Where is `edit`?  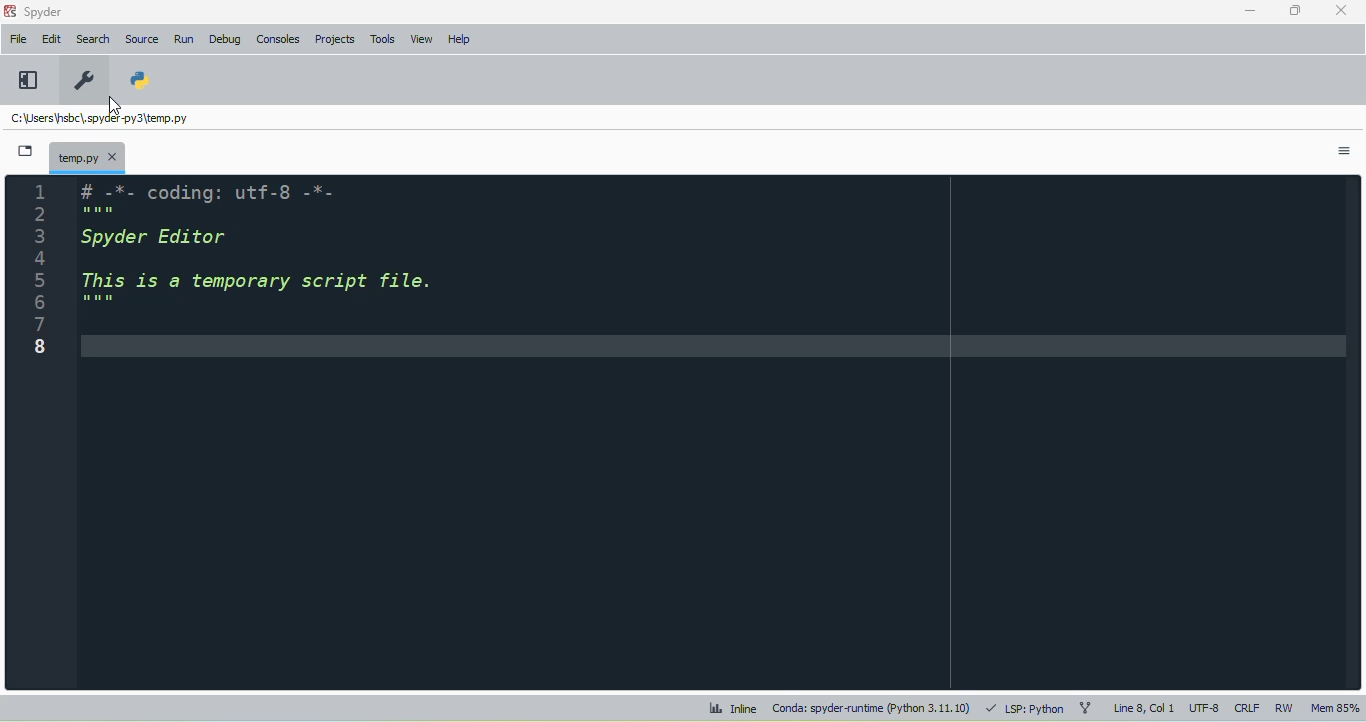
edit is located at coordinates (52, 39).